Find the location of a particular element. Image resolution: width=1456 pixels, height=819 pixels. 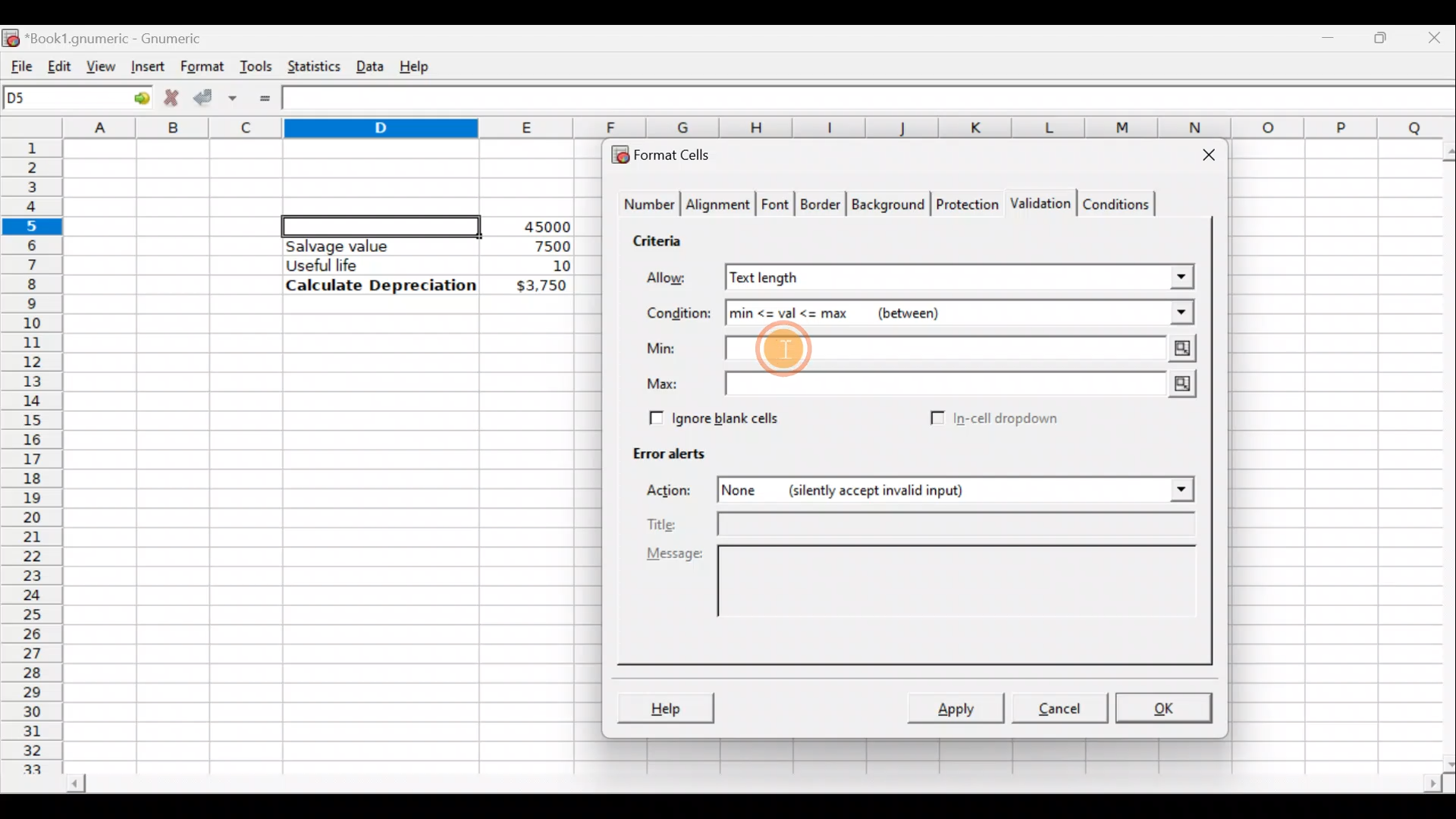

Cancel change is located at coordinates (170, 96).